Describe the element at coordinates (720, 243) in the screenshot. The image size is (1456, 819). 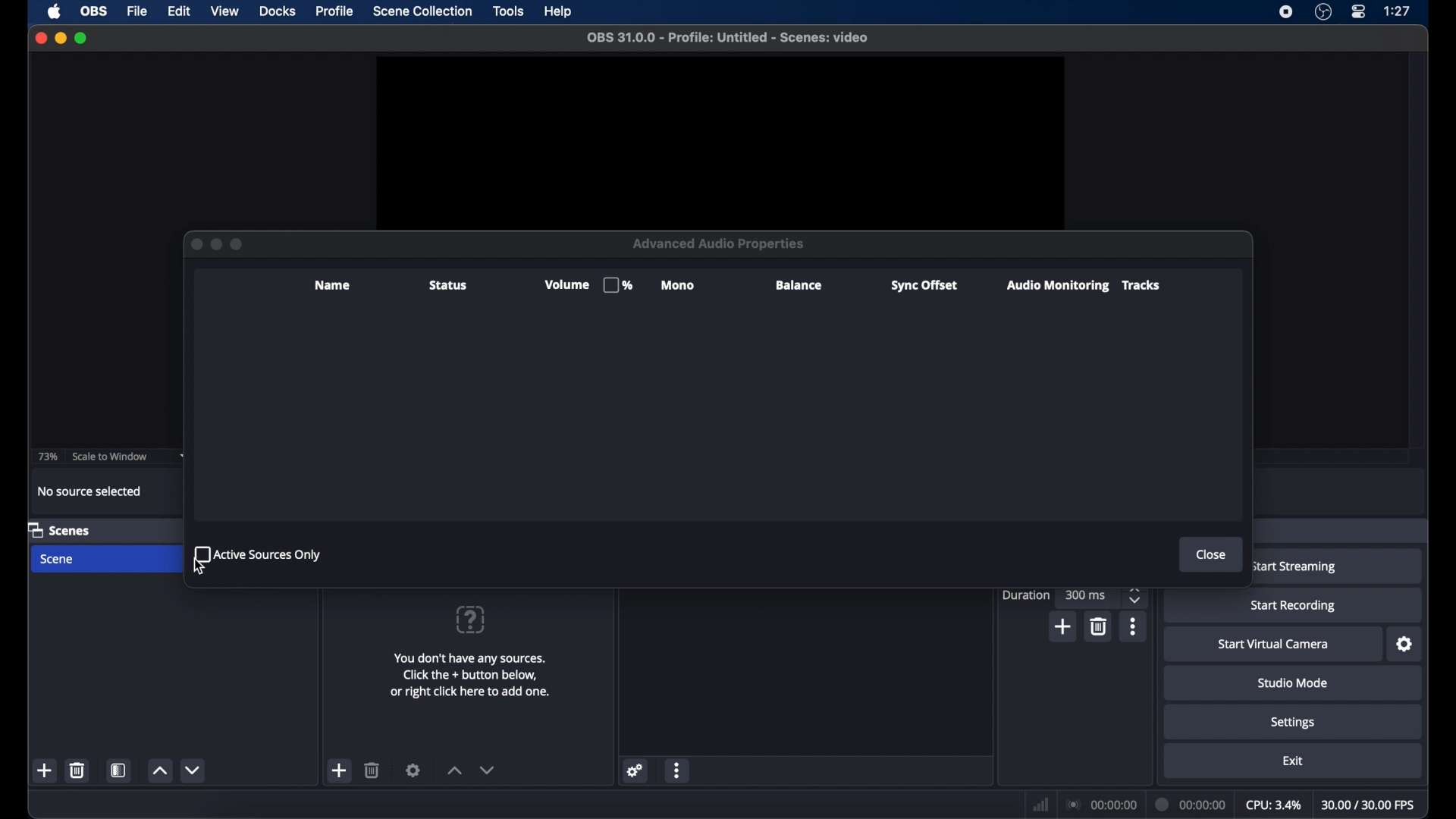
I see `advanced audio properties` at that location.